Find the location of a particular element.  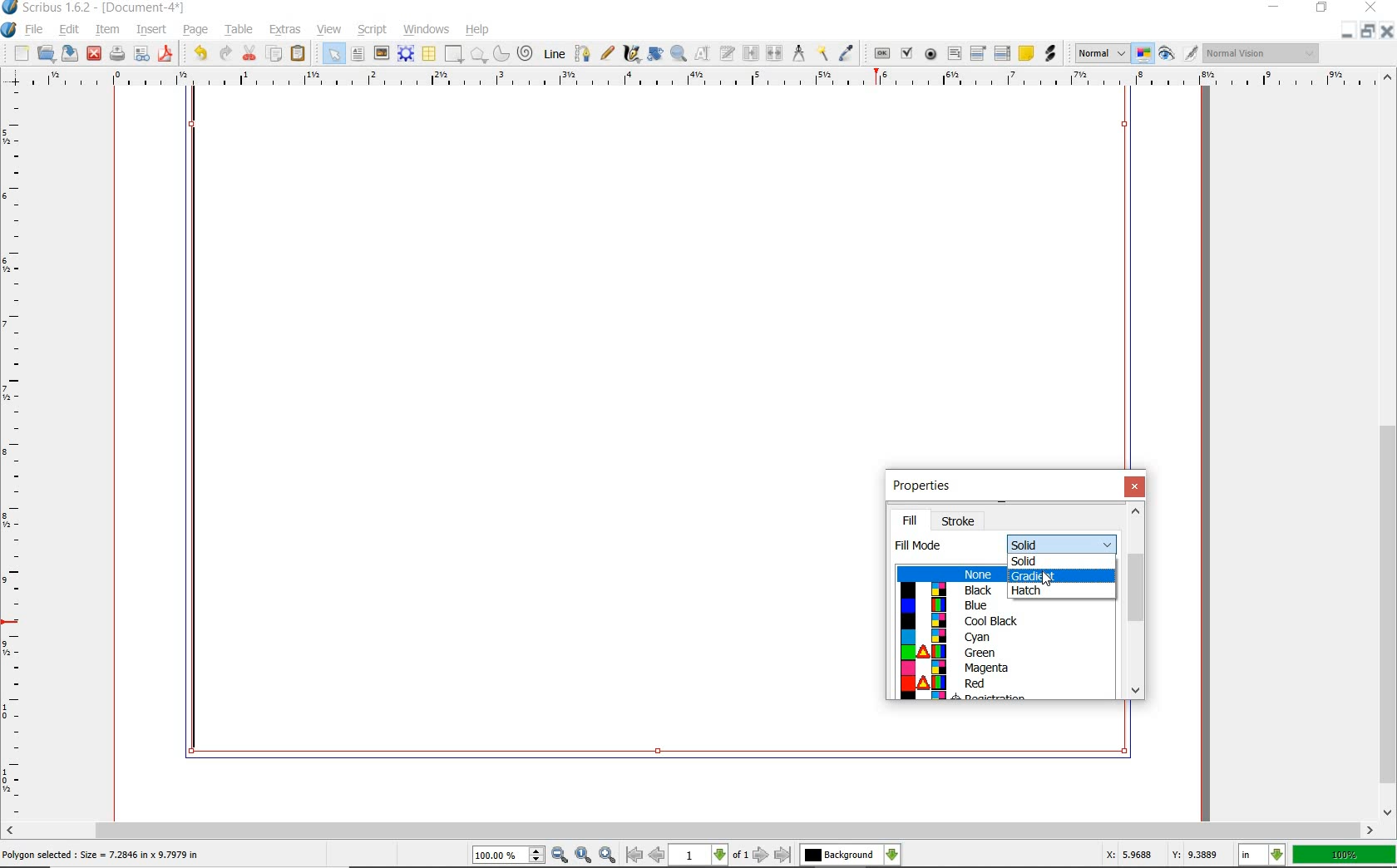

Scribus 1.6.2 - [Document-4*] is located at coordinates (96, 8).